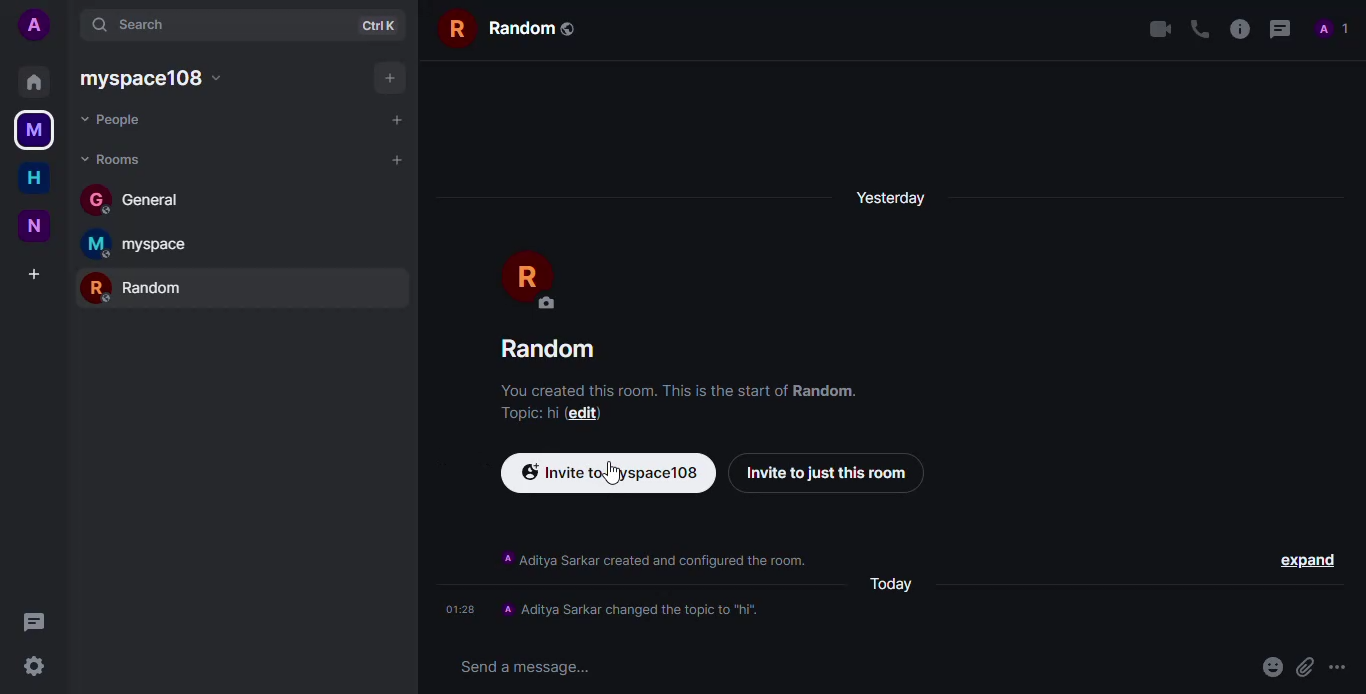 The width and height of the screenshot is (1366, 694). I want to click on account, so click(33, 25).